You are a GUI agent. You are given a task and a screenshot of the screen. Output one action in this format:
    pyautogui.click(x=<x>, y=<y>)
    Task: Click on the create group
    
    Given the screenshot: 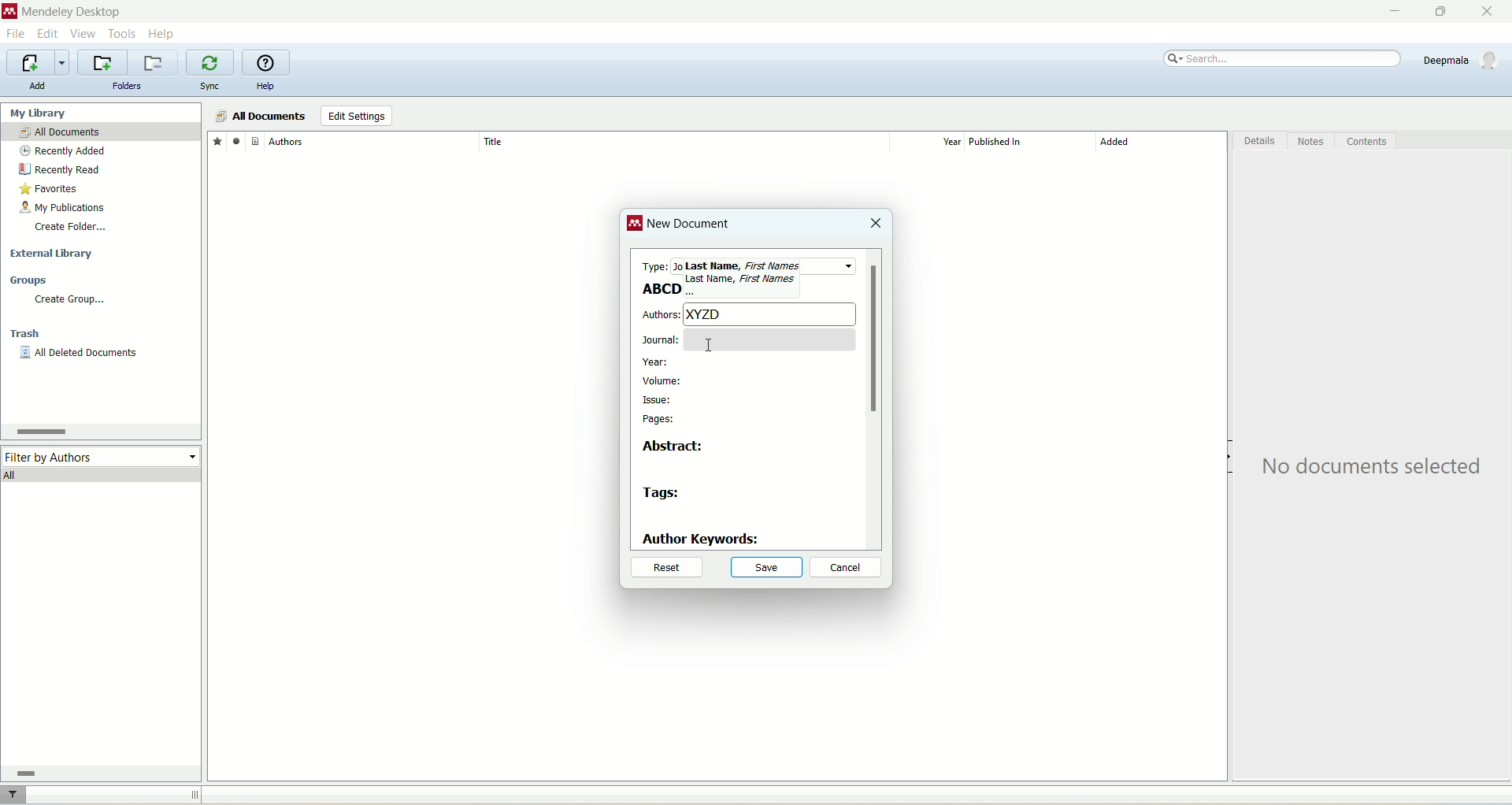 What is the action you would take?
    pyautogui.click(x=69, y=299)
    